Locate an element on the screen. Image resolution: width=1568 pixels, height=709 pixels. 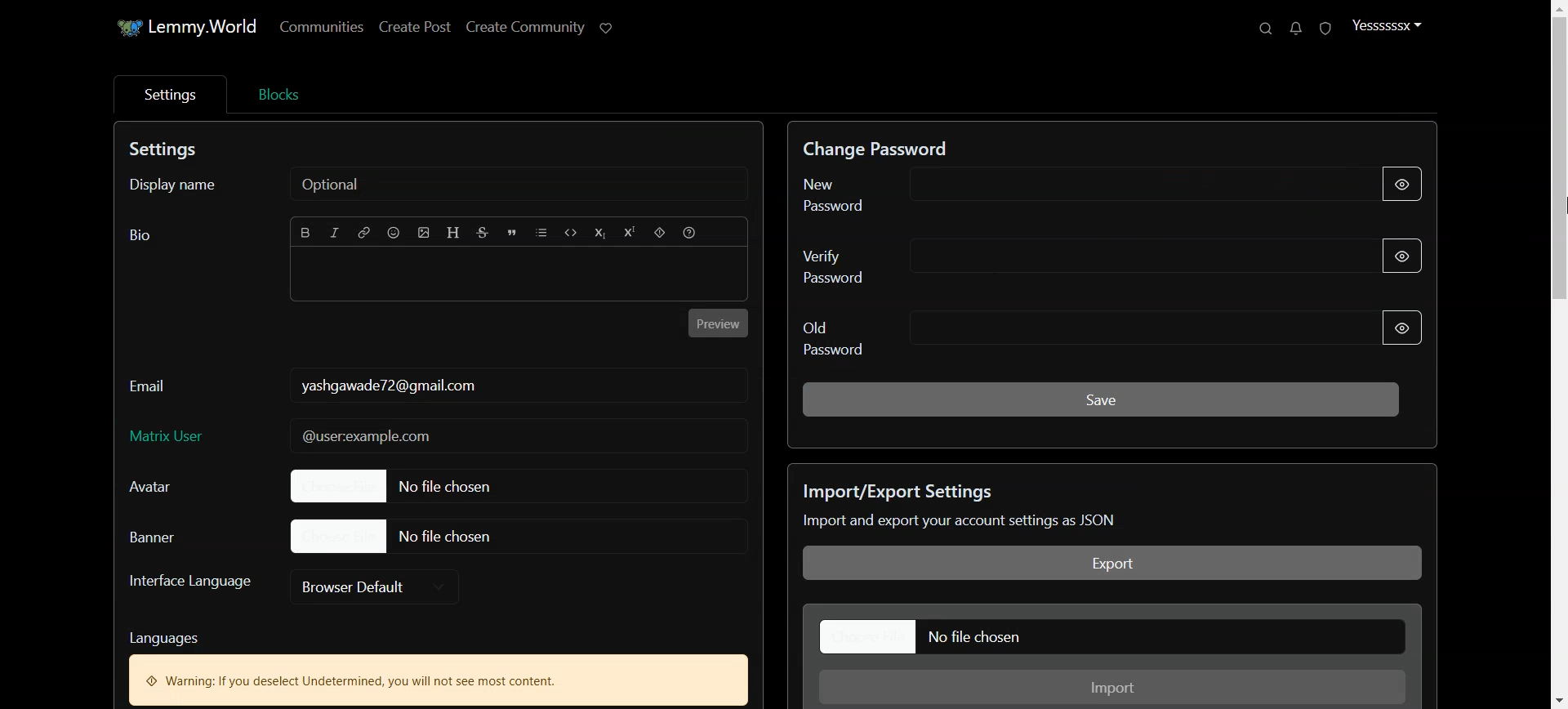
New Password is located at coordinates (1107, 191).